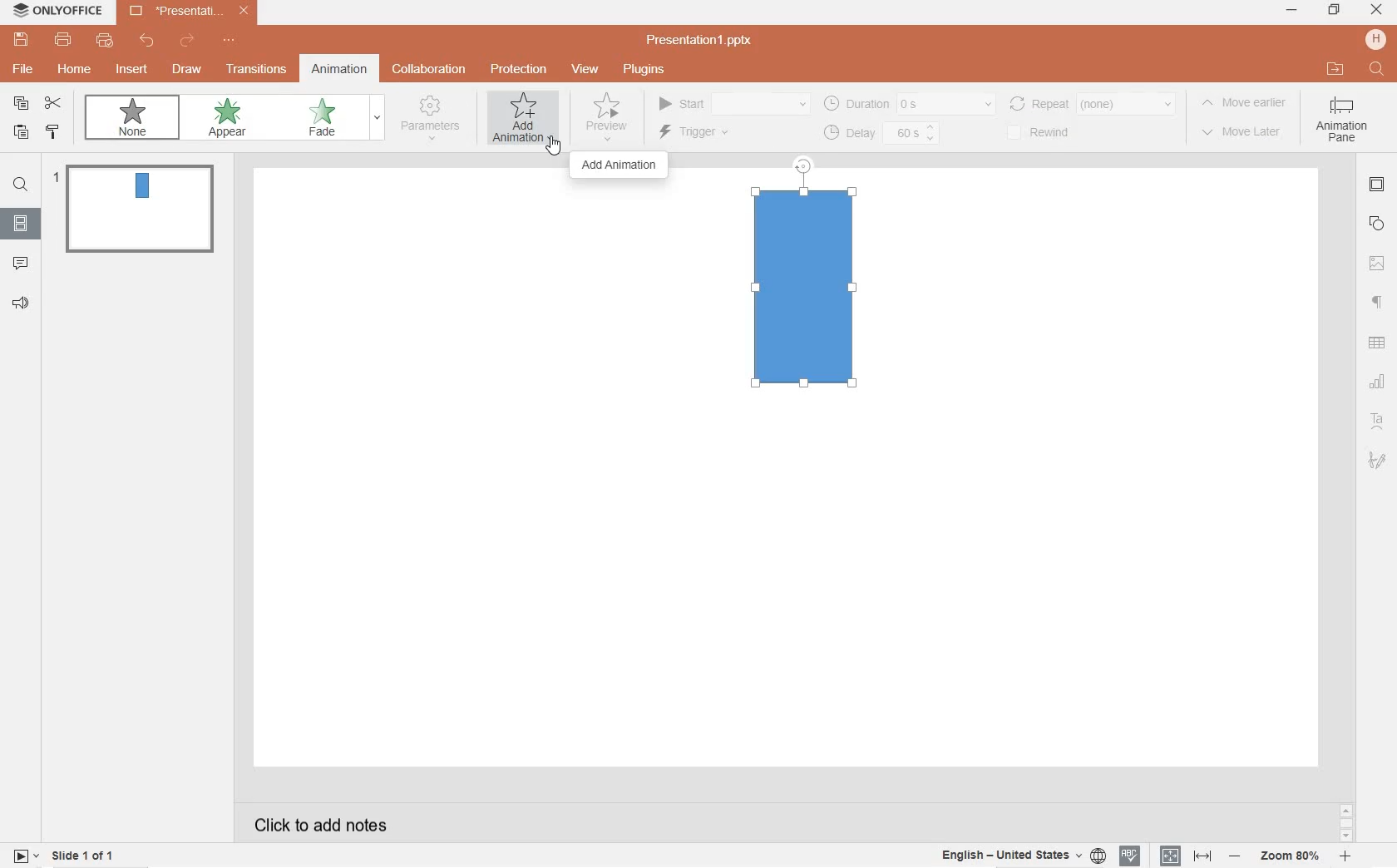 This screenshot has width=1397, height=868. I want to click on animation, so click(340, 70).